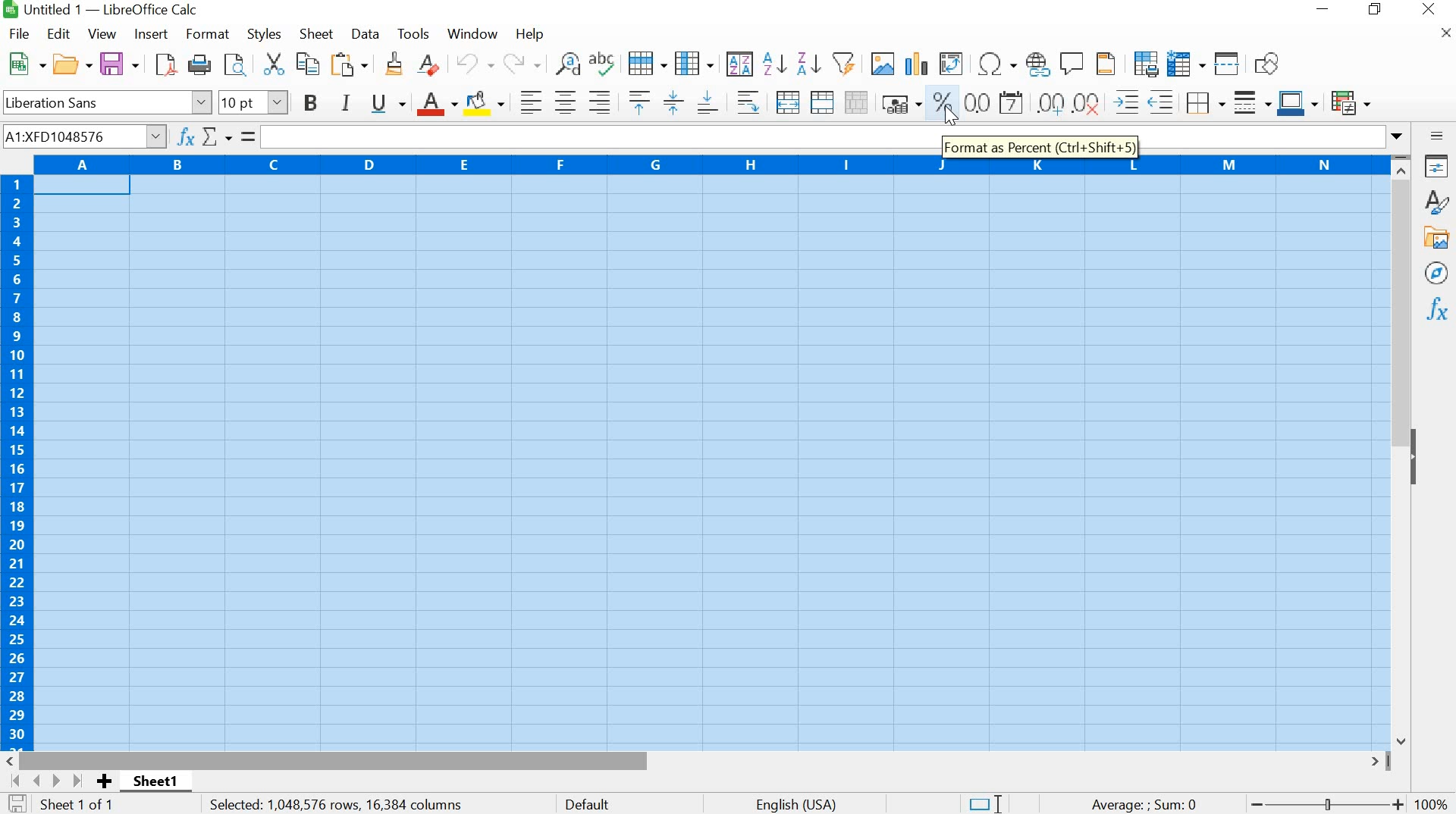 This screenshot has height=814, width=1456. I want to click on Cursor, so click(952, 119).